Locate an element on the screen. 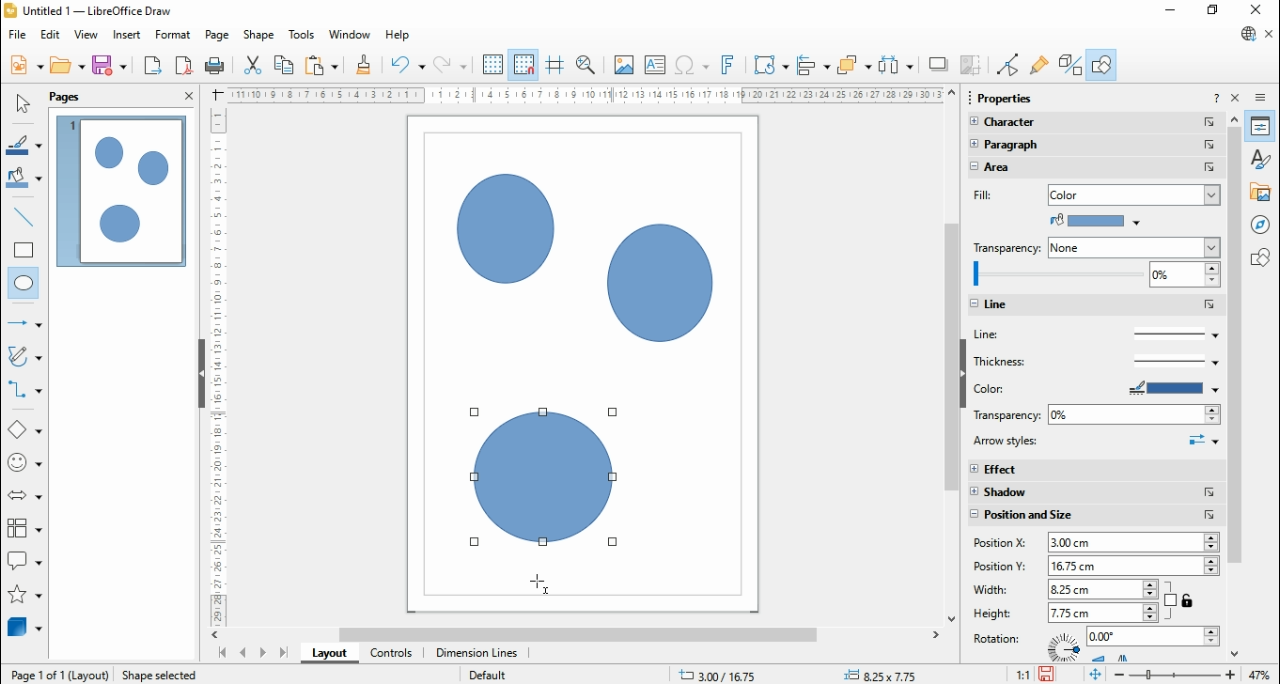 This screenshot has height=684, width=1280. thickness is located at coordinates (1096, 360).